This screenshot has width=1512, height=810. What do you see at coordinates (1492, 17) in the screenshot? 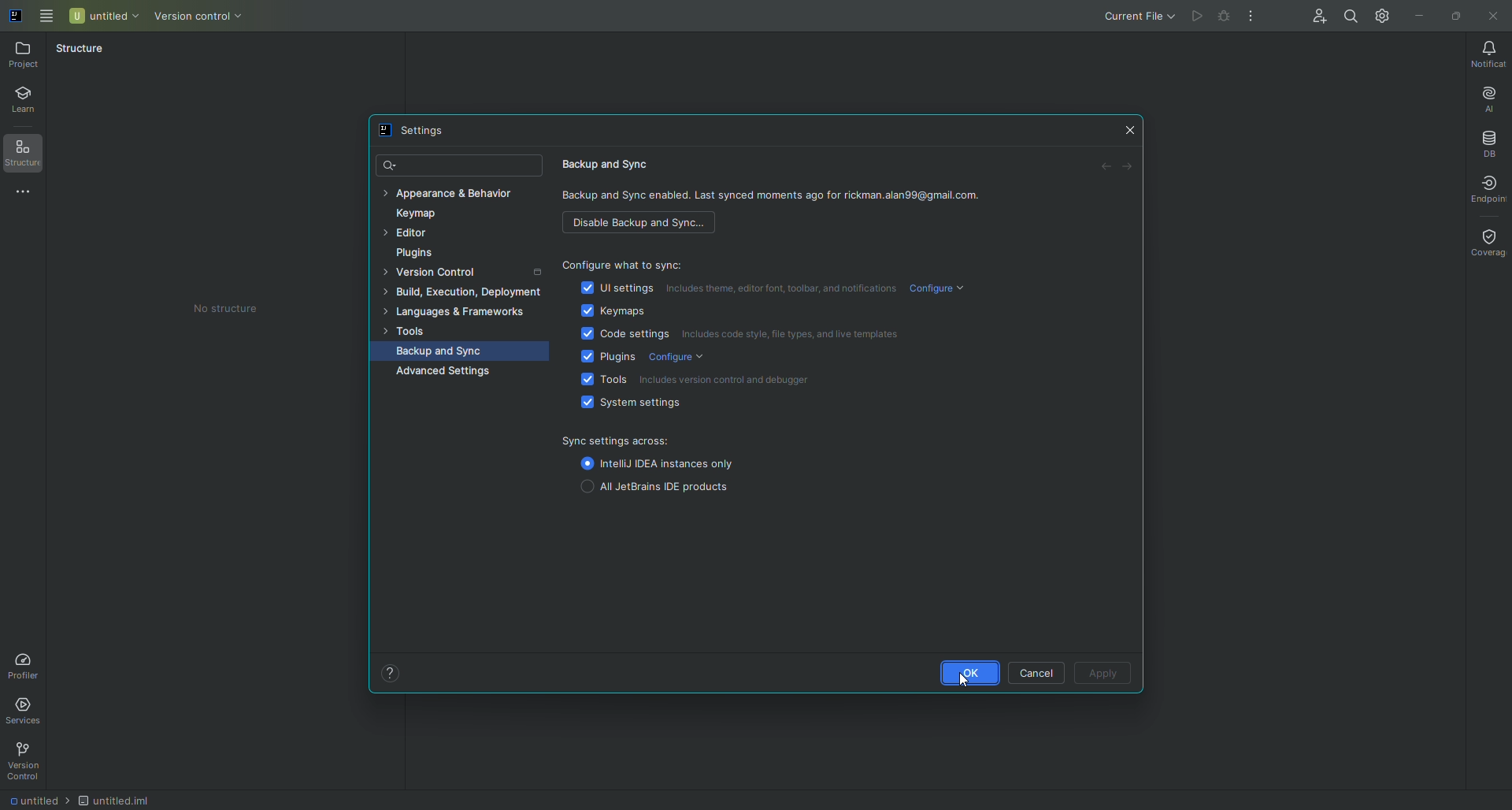
I see `Close` at bounding box center [1492, 17].